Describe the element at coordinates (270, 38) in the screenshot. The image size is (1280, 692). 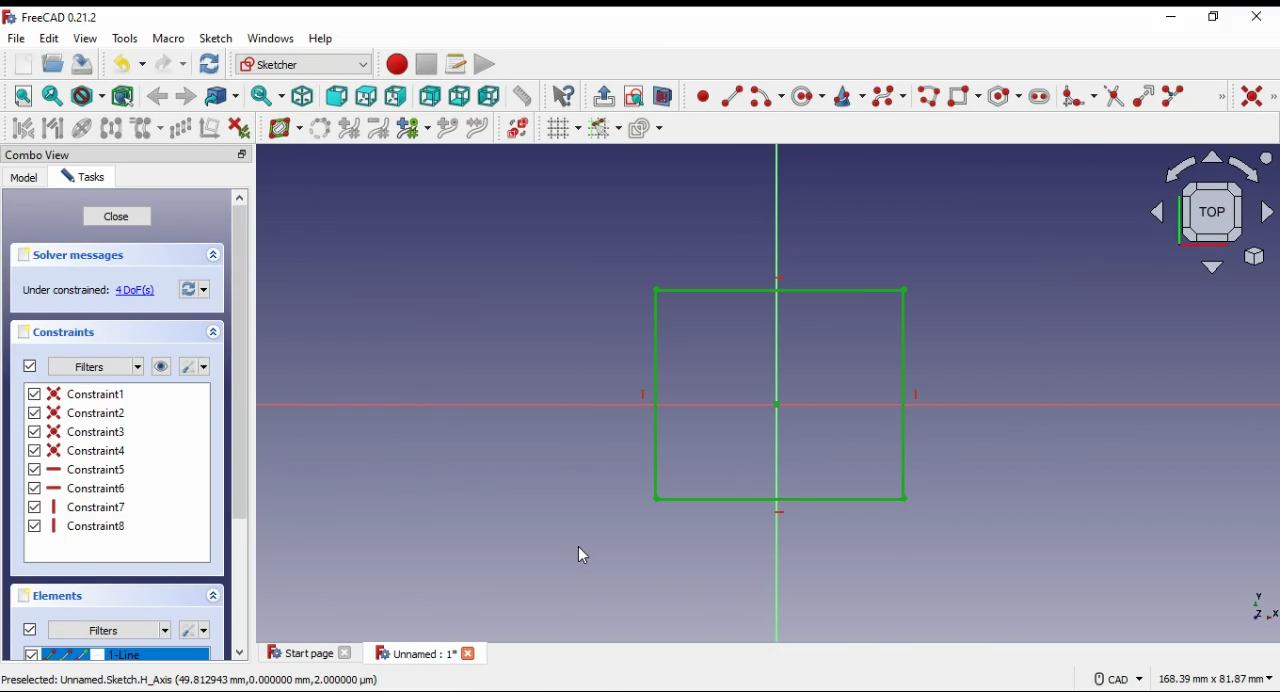
I see `windows` at that location.